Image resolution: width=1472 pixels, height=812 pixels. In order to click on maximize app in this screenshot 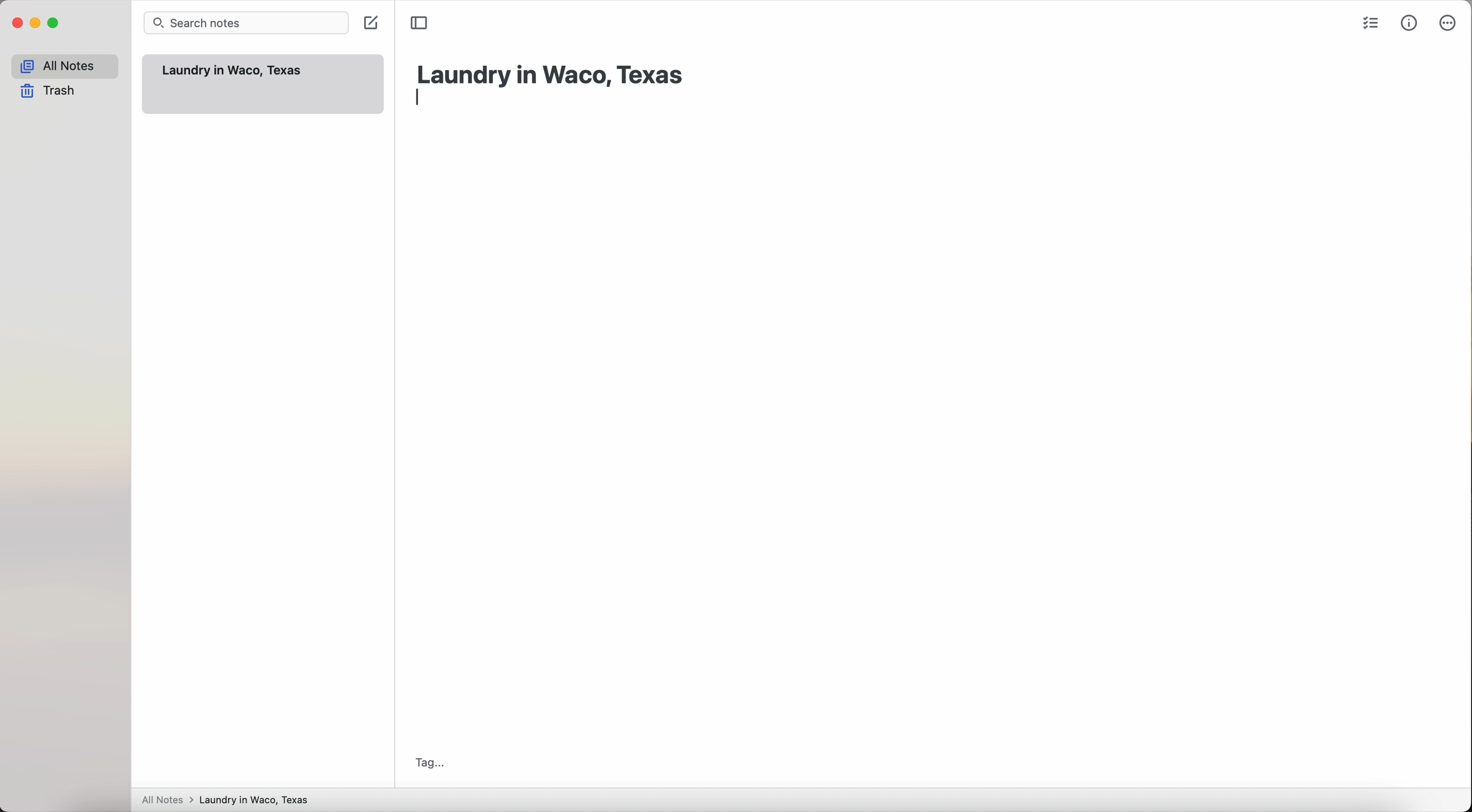, I will do `click(54, 23)`.